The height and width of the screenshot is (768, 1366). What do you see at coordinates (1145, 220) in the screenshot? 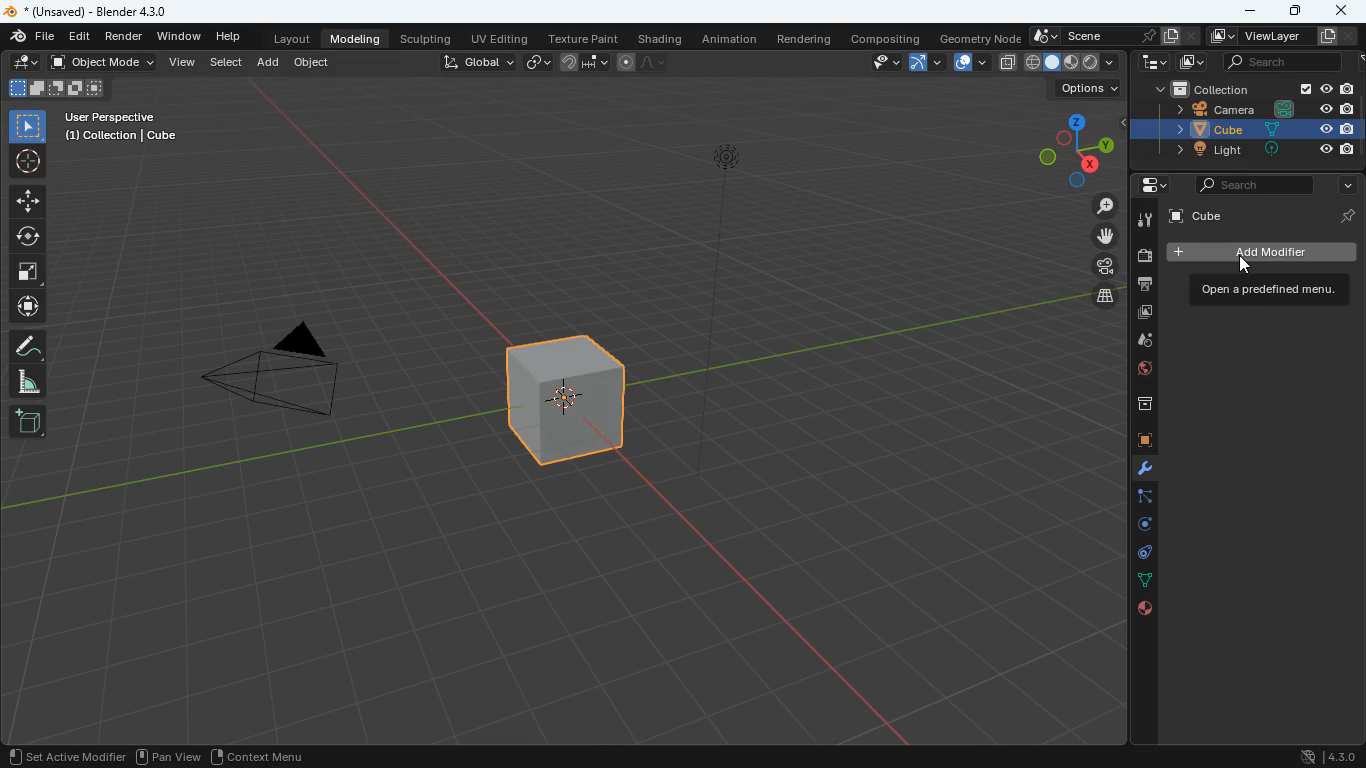
I see `tools` at bounding box center [1145, 220].